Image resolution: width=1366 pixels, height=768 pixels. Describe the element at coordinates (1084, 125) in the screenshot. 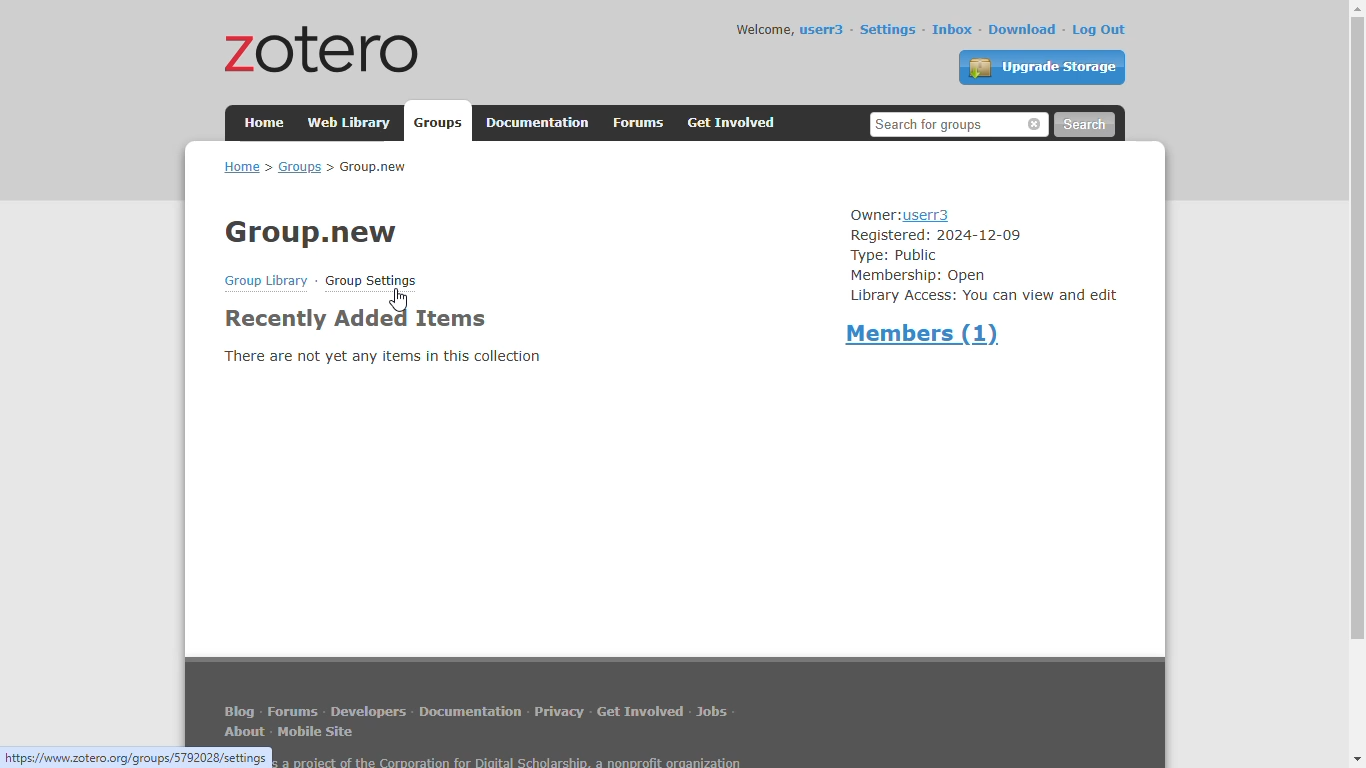

I see `search` at that location.